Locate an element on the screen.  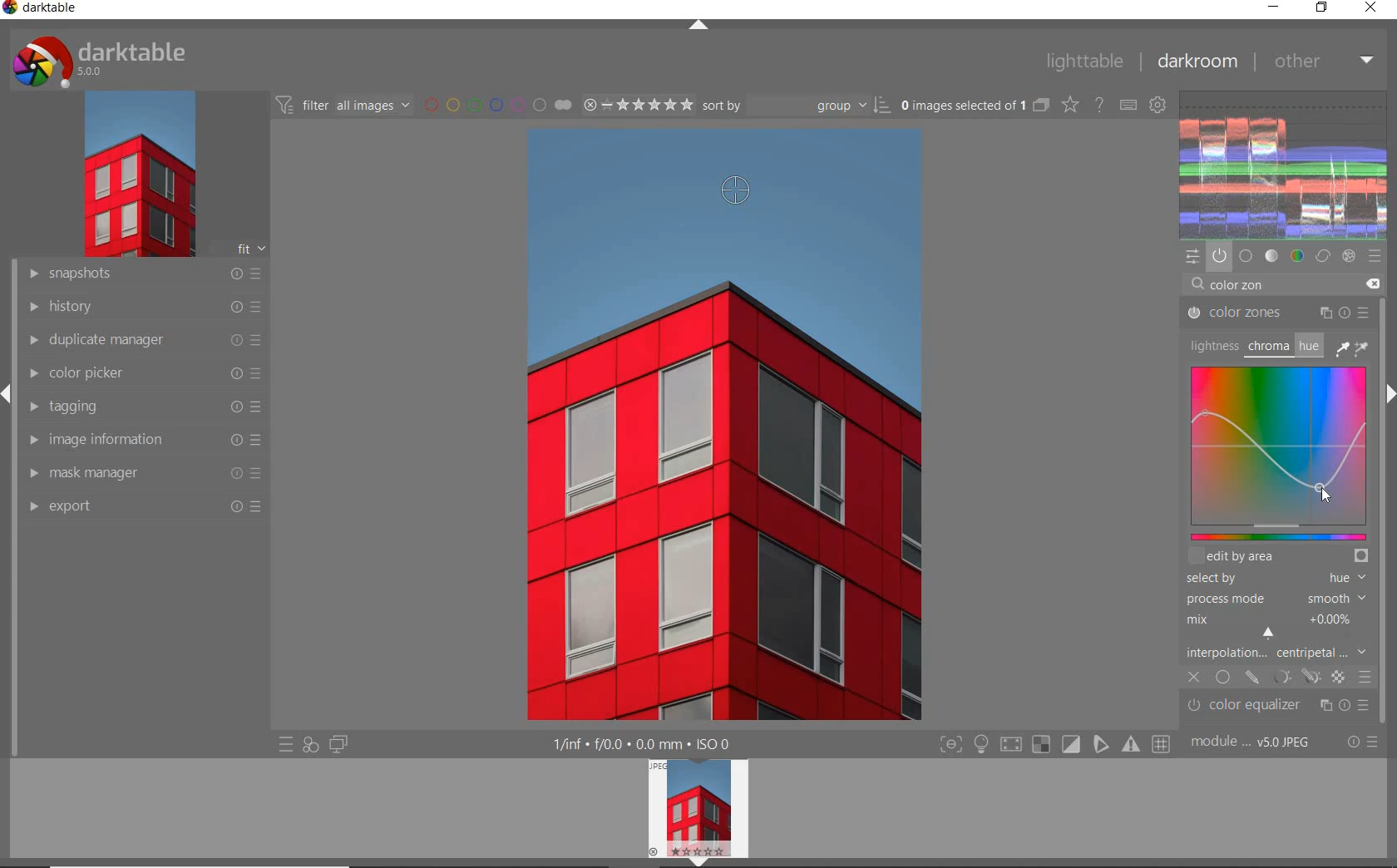
Sort is located at coordinates (797, 106).